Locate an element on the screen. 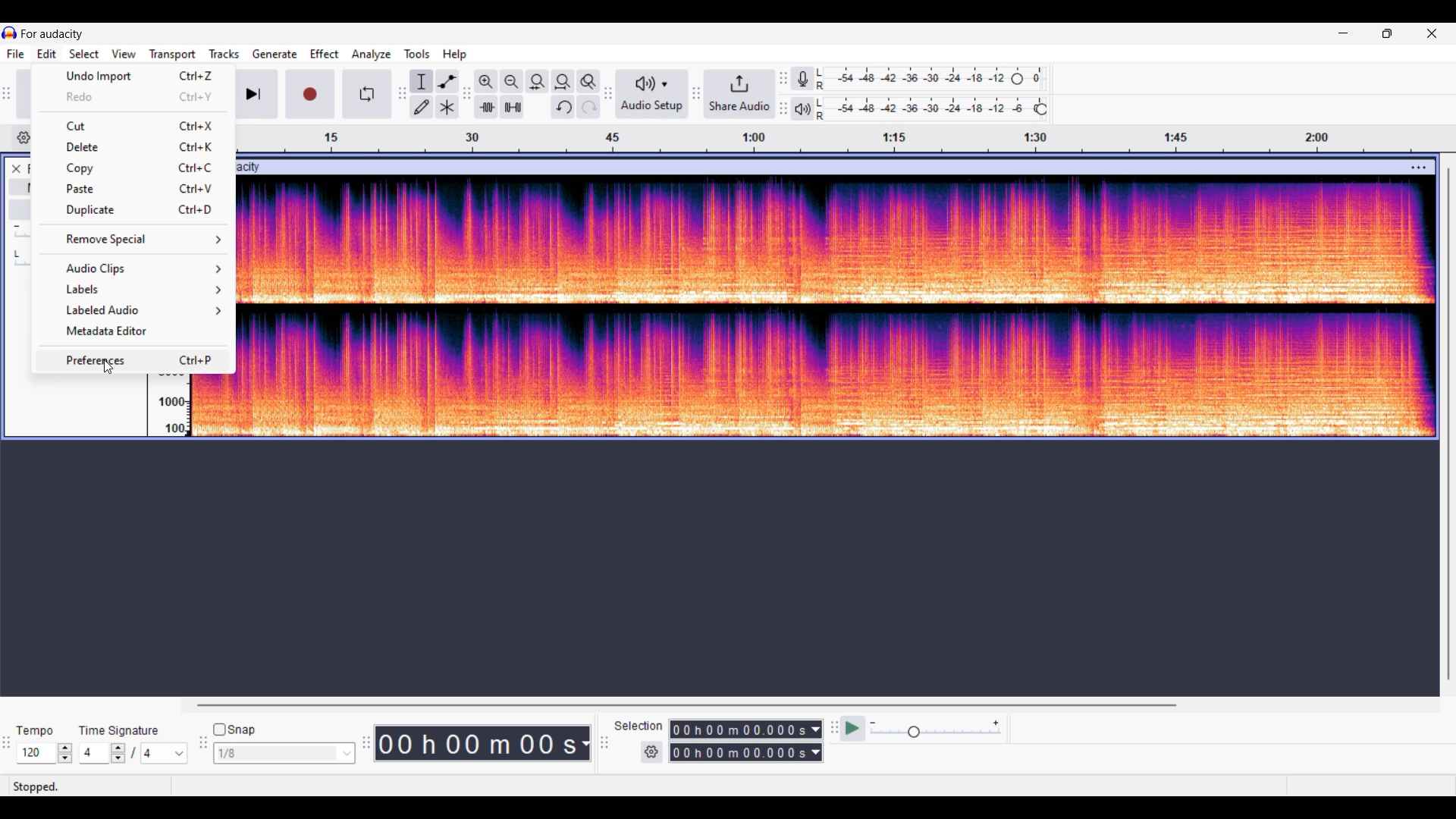 The image size is (1456, 819). Fit selection to width is located at coordinates (538, 82).